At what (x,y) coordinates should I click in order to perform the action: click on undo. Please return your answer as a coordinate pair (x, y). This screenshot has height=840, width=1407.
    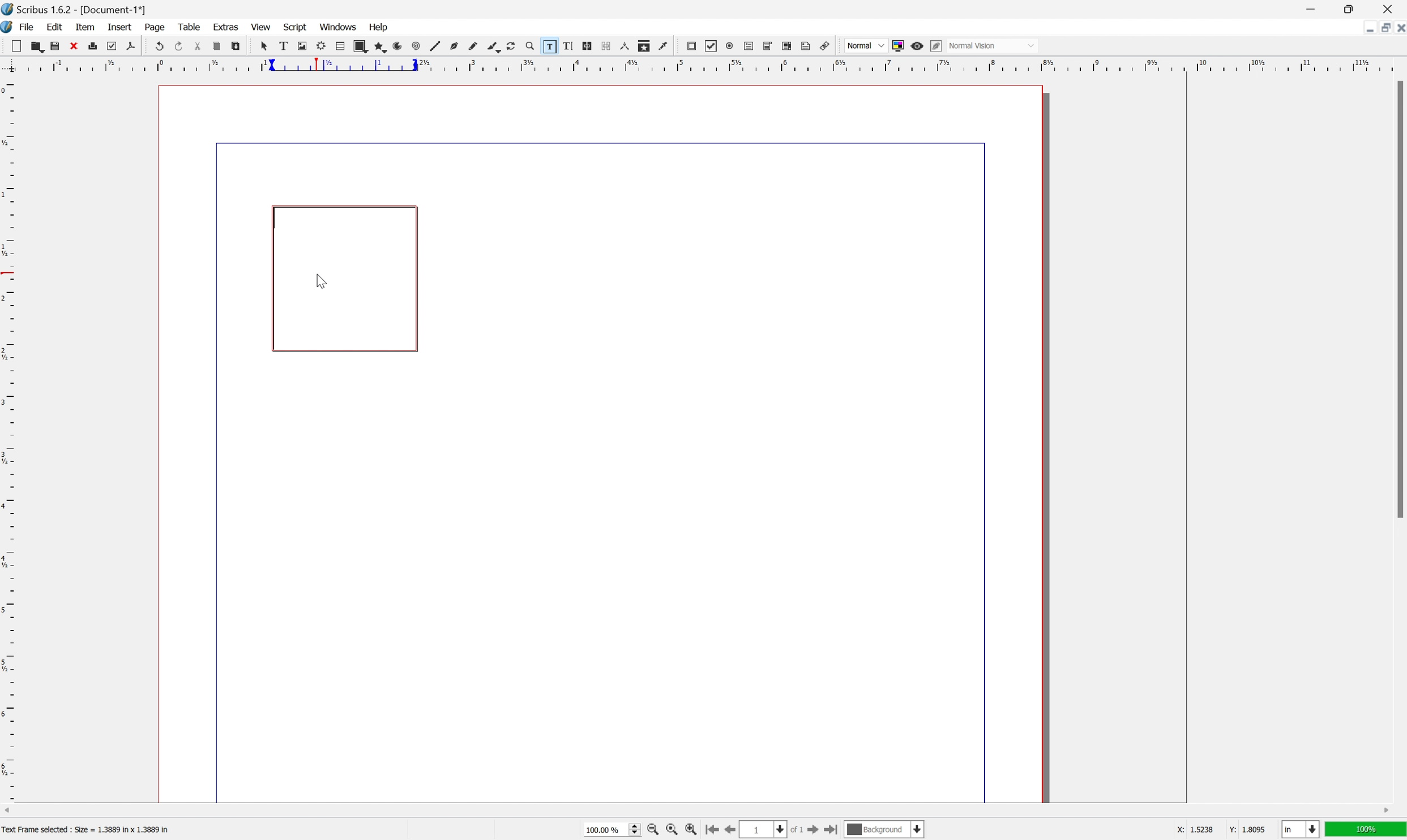
    Looking at the image, I should click on (160, 47).